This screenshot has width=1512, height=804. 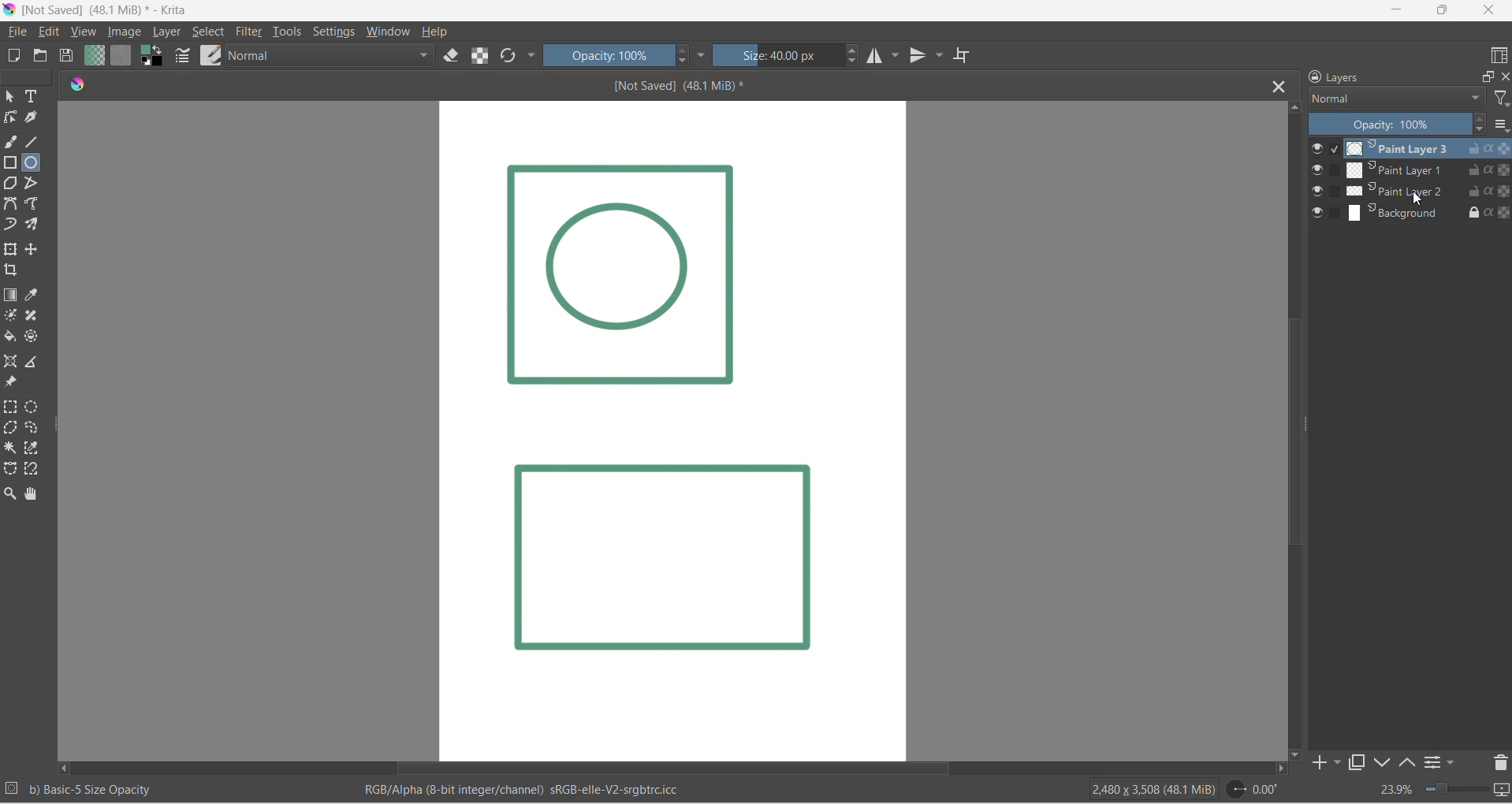 I want to click on save, so click(x=70, y=56).